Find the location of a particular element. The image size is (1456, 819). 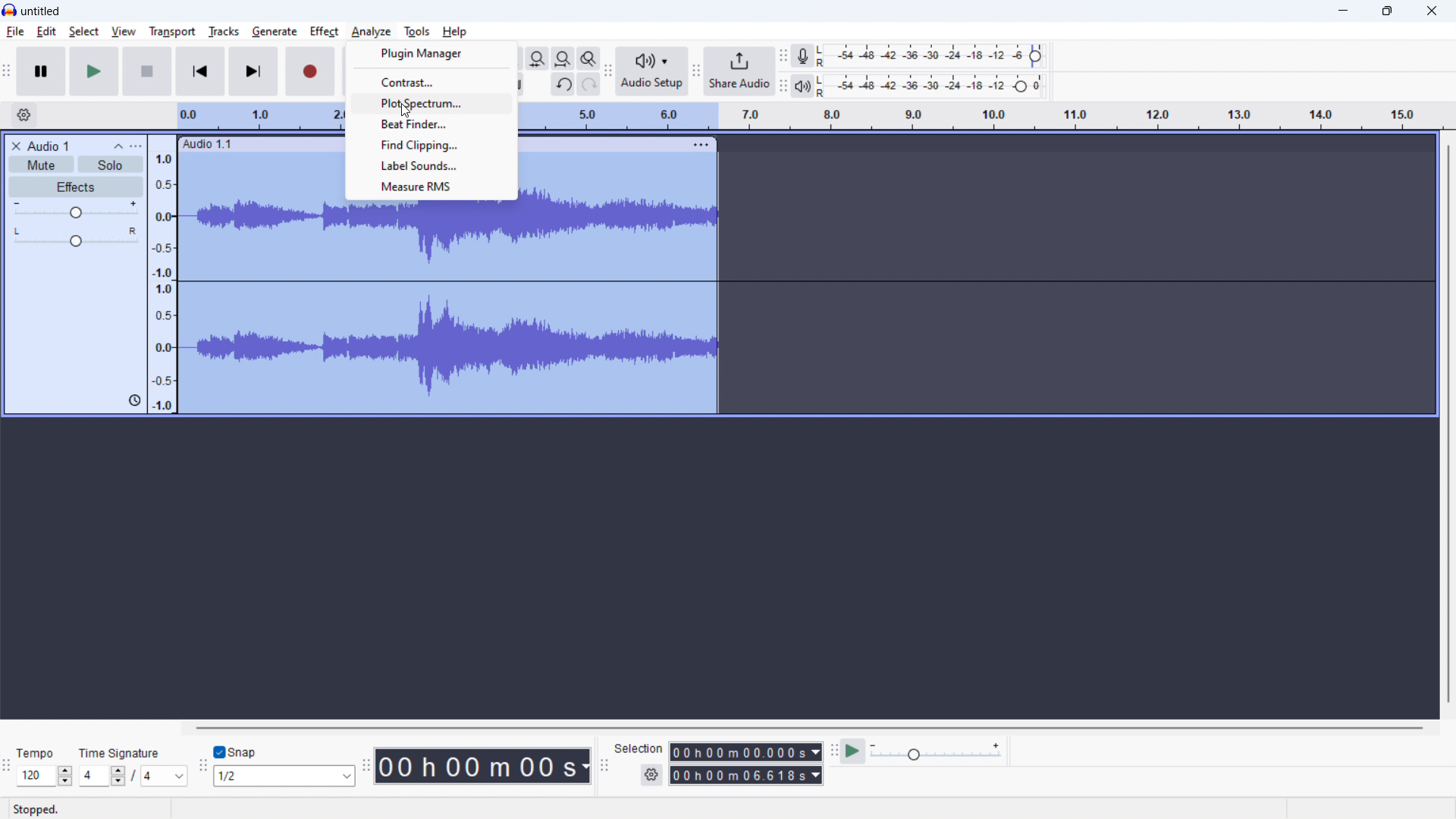

view is located at coordinates (124, 32).